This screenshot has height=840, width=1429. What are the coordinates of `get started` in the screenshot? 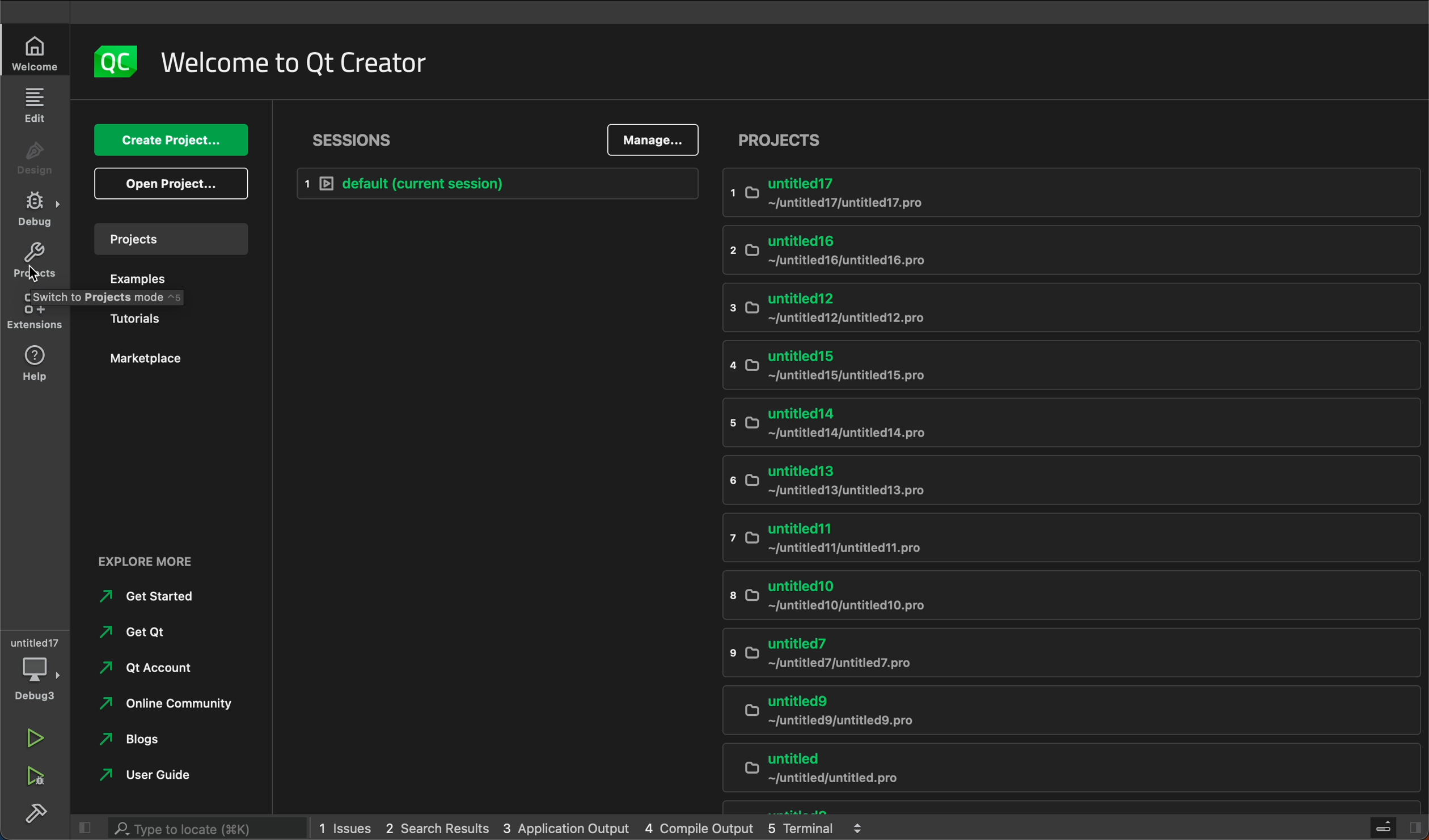 It's located at (163, 597).